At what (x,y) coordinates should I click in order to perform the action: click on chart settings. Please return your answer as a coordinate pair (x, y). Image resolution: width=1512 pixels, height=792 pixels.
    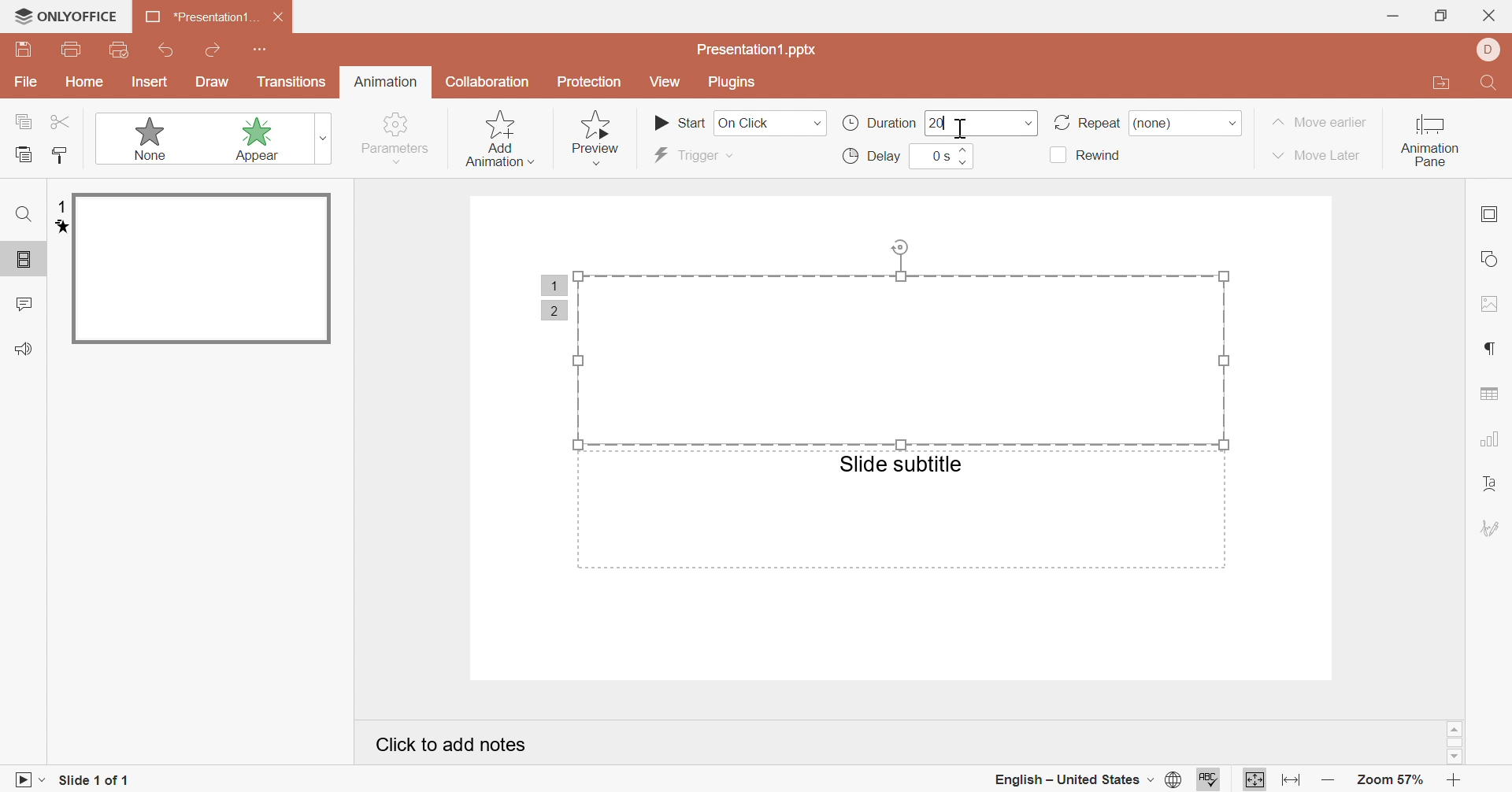
    Looking at the image, I should click on (1491, 438).